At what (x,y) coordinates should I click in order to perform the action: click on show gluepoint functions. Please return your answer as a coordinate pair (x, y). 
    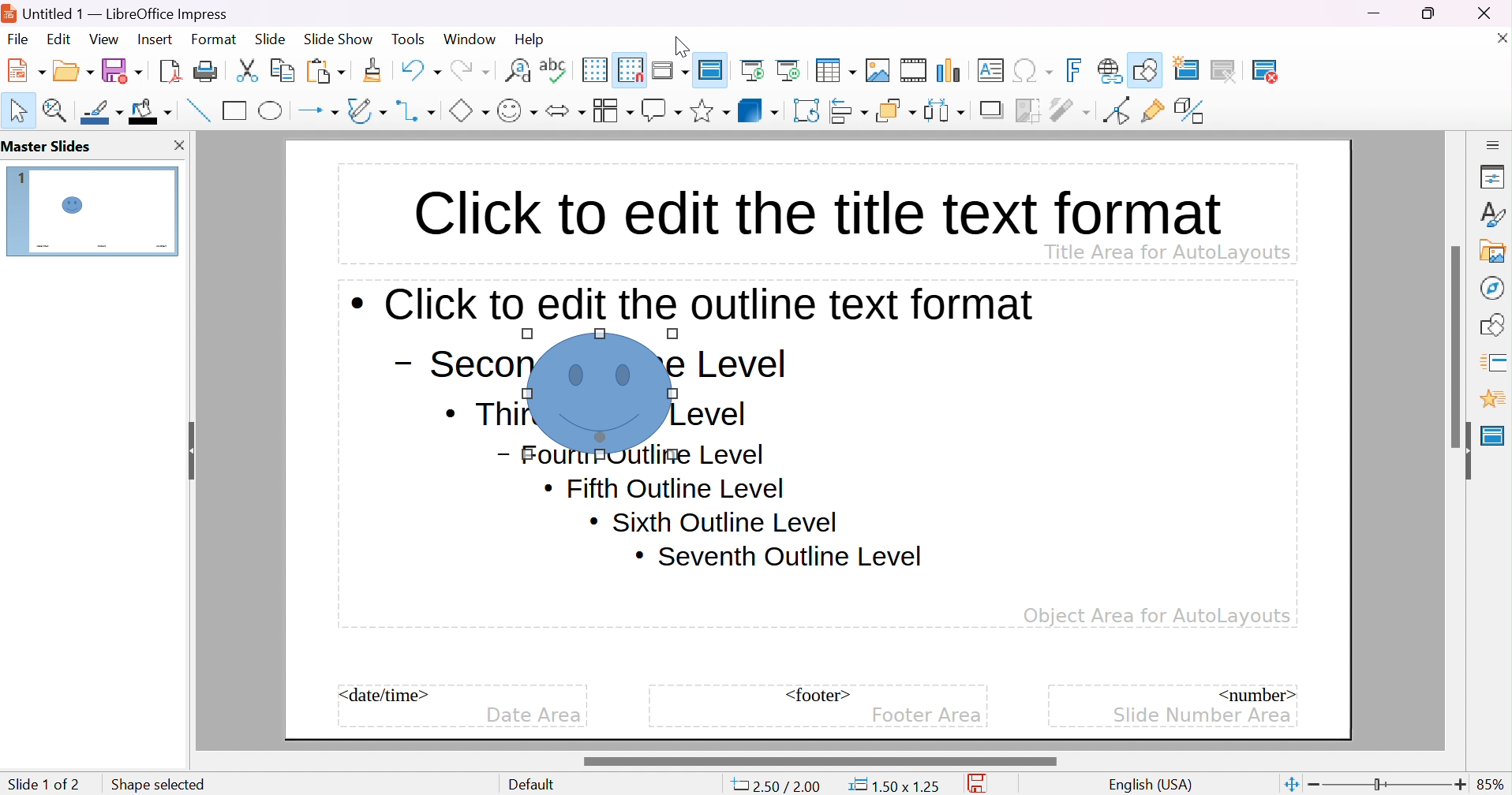
    Looking at the image, I should click on (1153, 111).